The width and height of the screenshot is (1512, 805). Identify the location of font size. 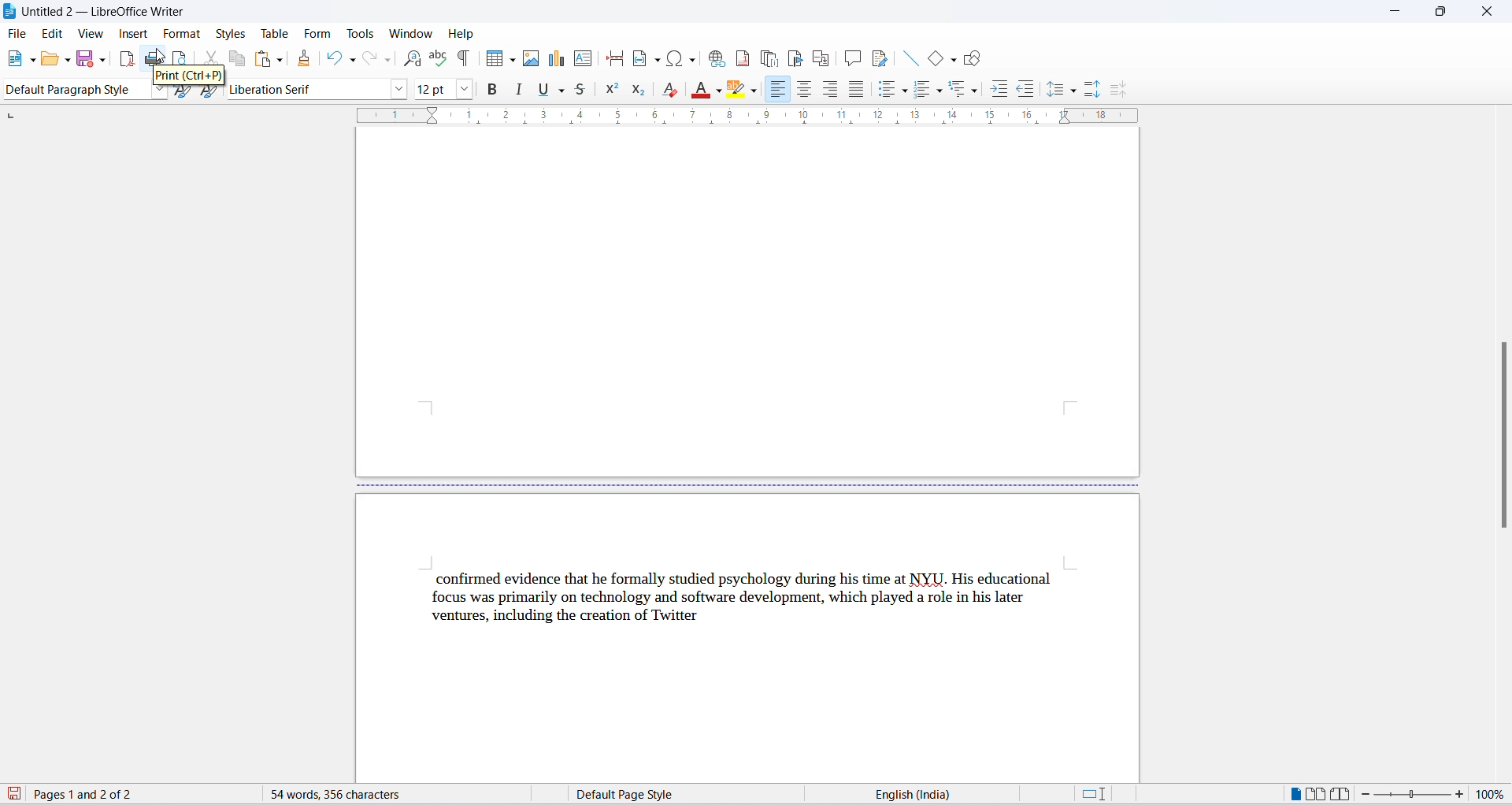
(430, 91).